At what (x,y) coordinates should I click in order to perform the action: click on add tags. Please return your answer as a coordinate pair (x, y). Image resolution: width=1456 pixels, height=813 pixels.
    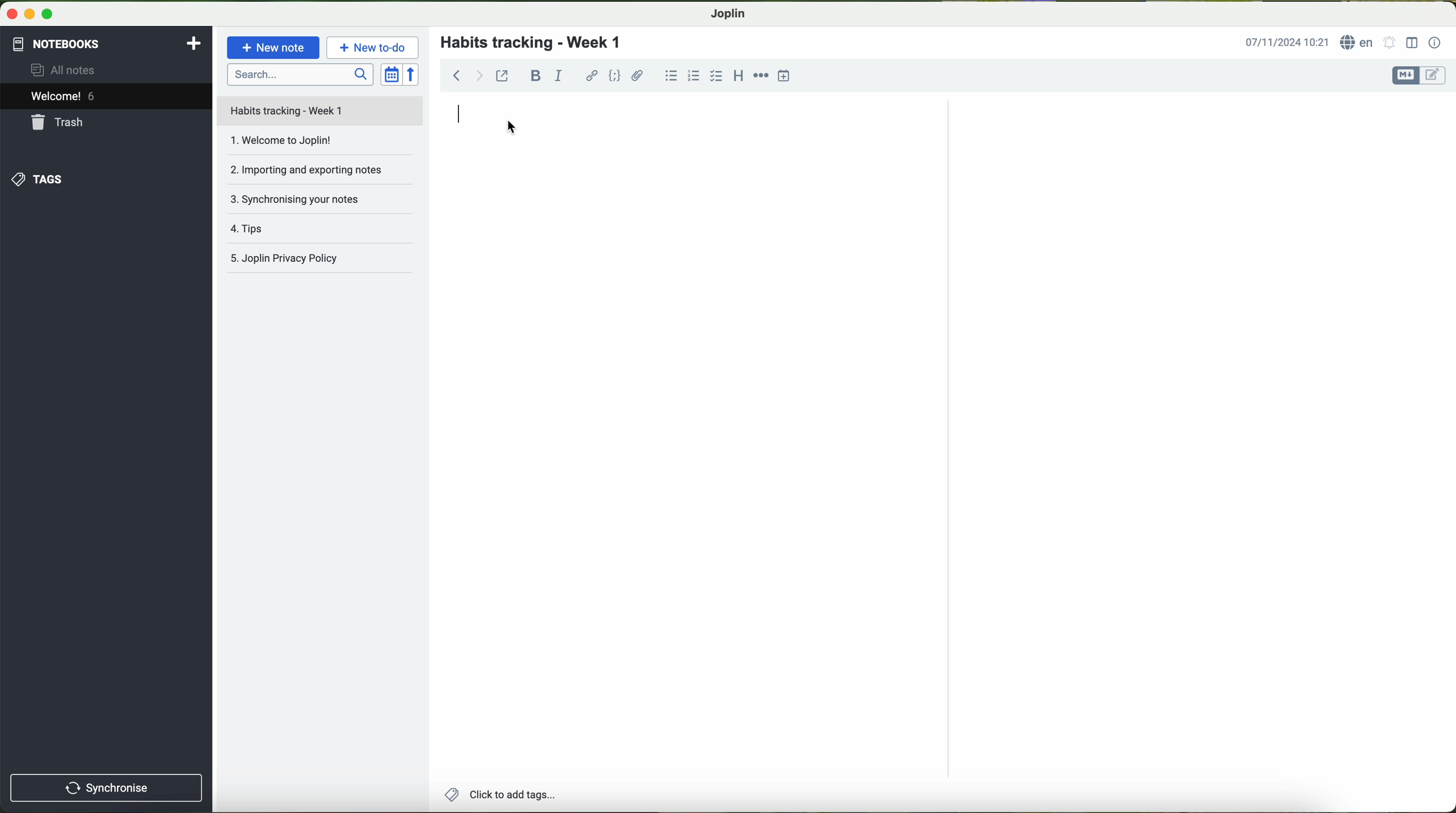
    Looking at the image, I should click on (497, 795).